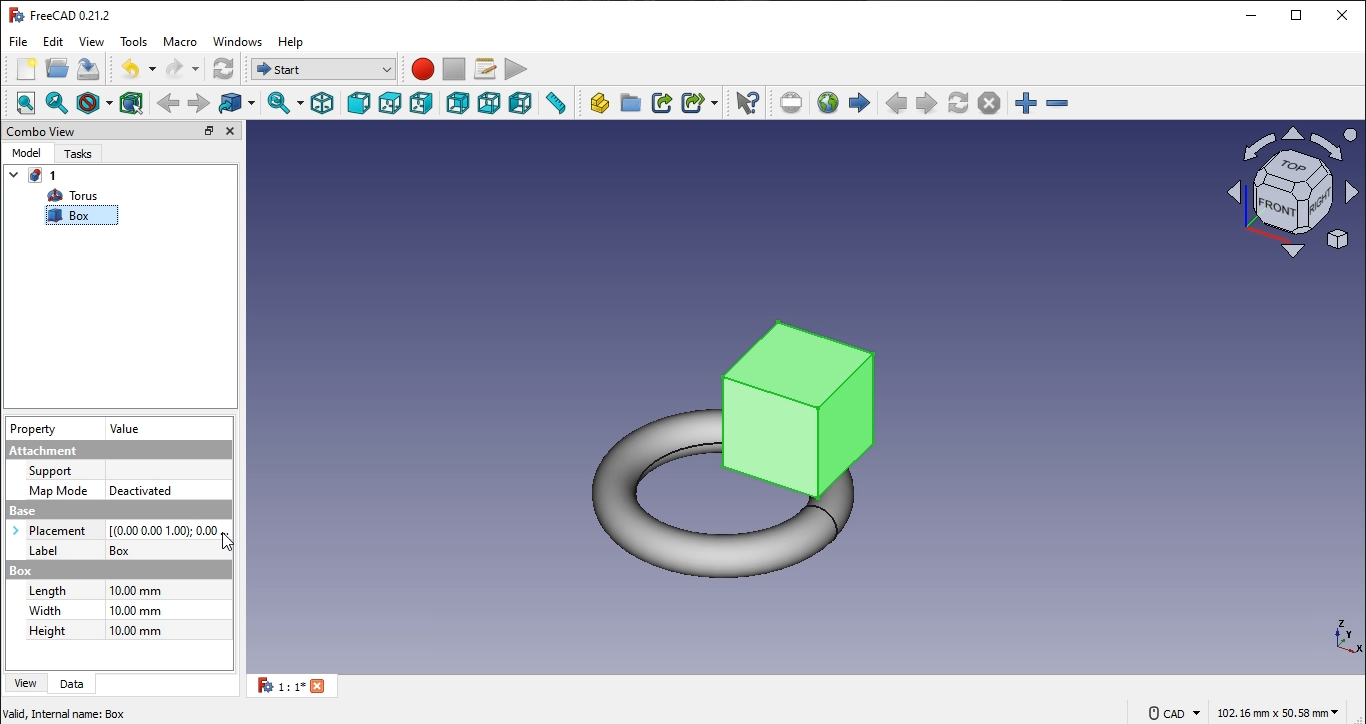 This screenshot has height=724, width=1366. Describe the element at coordinates (1350, 638) in the screenshot. I see `coordinate directional axis icon` at that location.